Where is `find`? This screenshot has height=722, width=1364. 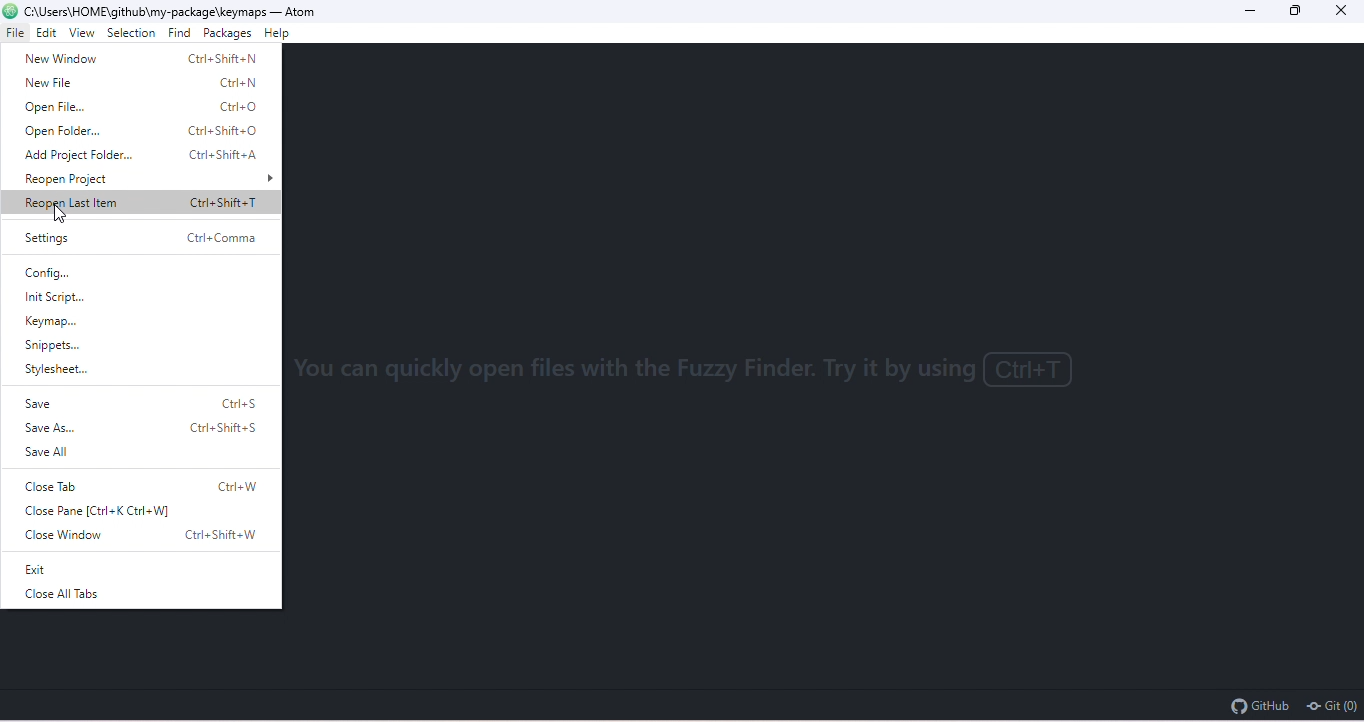 find is located at coordinates (180, 32).